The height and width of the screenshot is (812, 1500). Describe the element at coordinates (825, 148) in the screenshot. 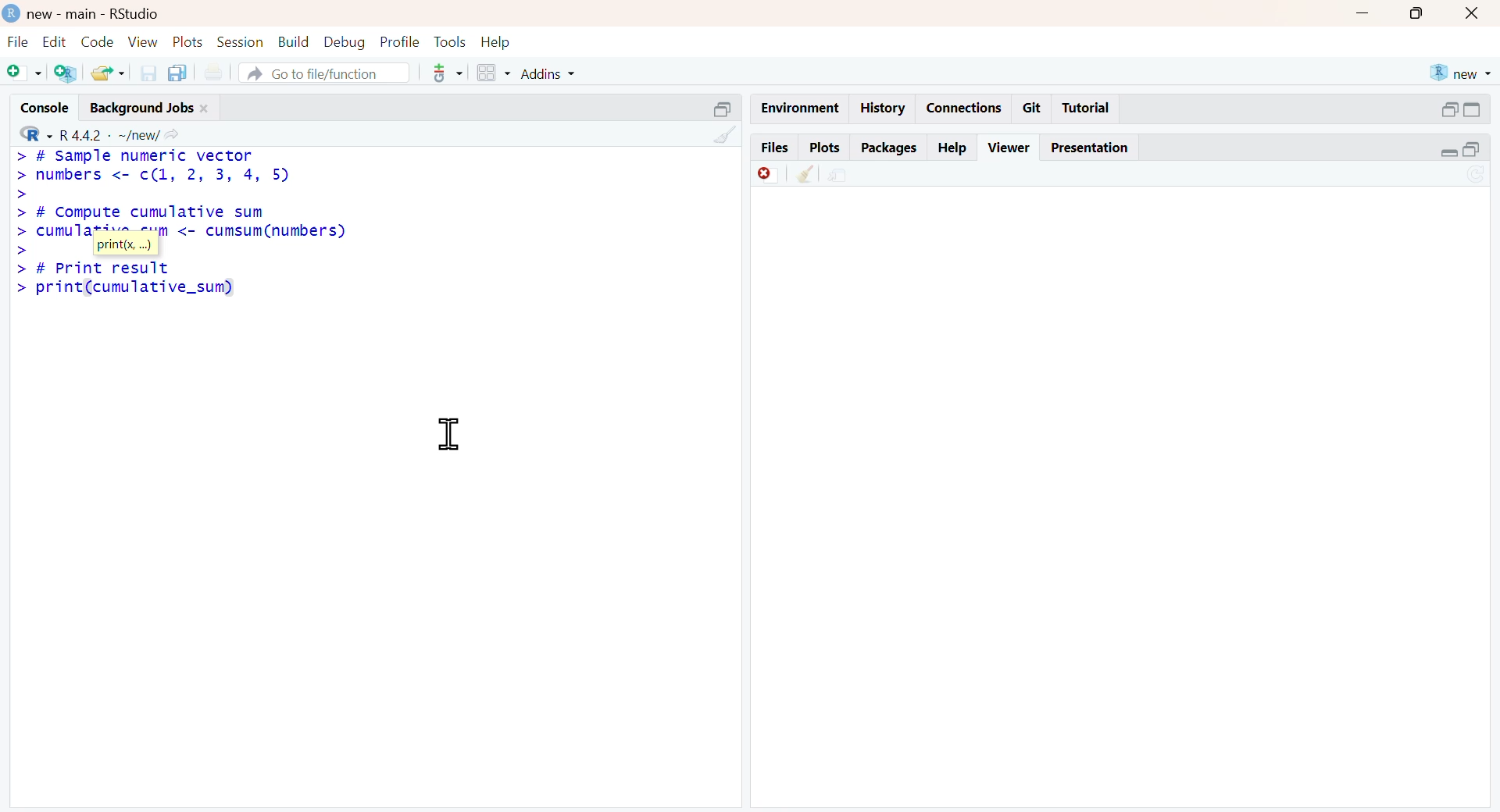

I see `Plots` at that location.